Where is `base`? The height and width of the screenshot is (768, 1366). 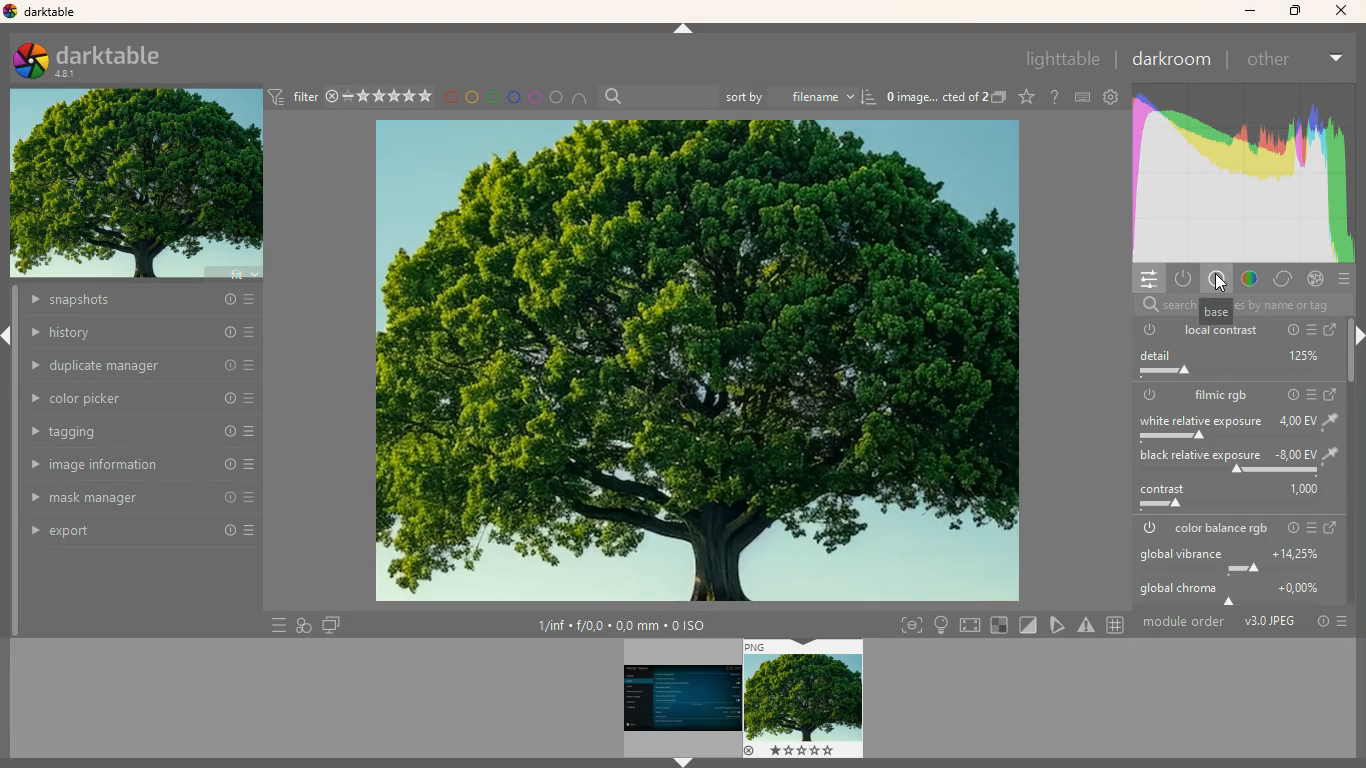
base is located at coordinates (1218, 312).